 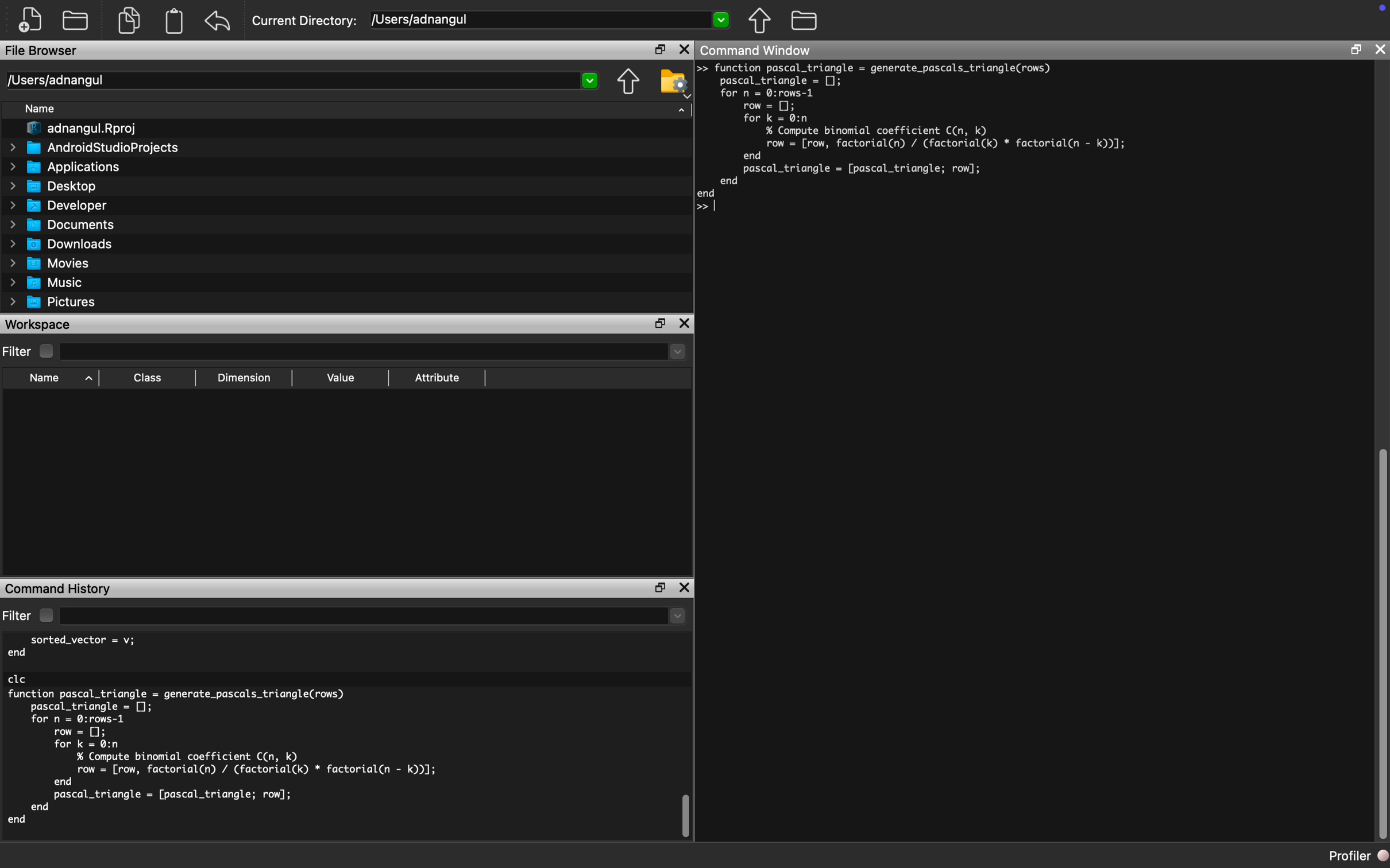 I want to click on Folder Setting, so click(x=675, y=83).